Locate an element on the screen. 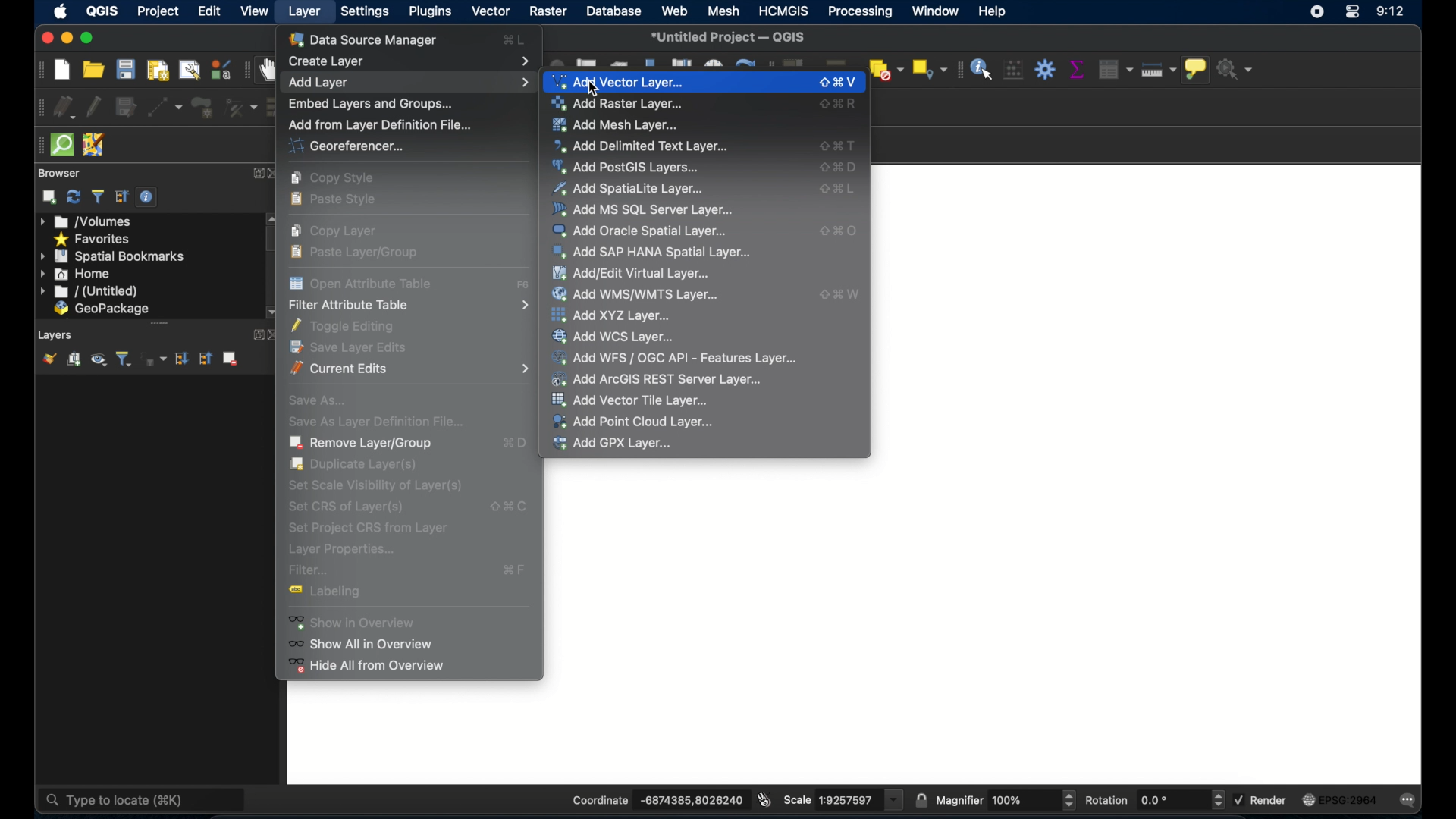 This screenshot has width=1456, height=819. scroll bar is located at coordinates (155, 324).